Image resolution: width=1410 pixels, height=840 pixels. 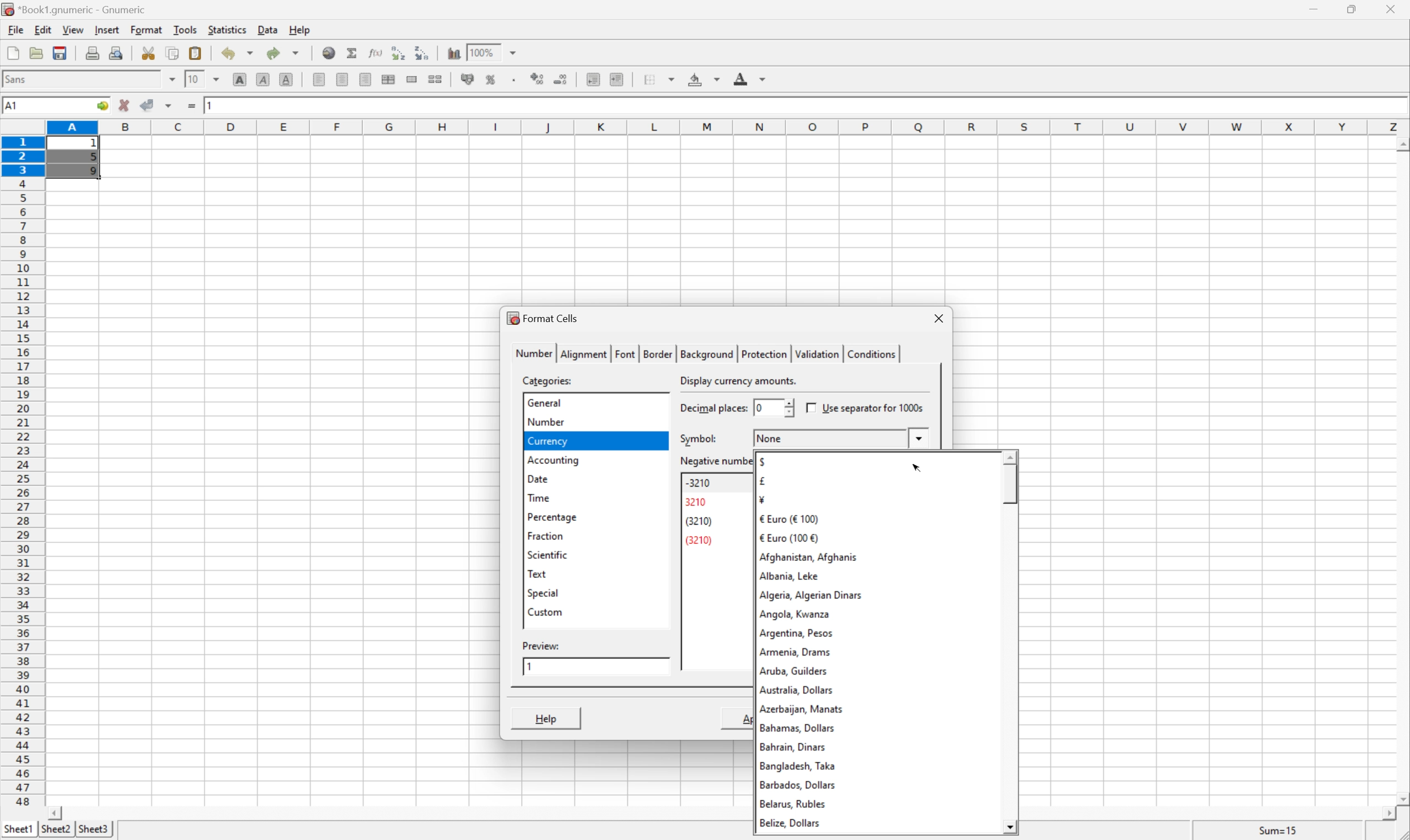 What do you see at coordinates (481, 52) in the screenshot?
I see `100%` at bounding box center [481, 52].